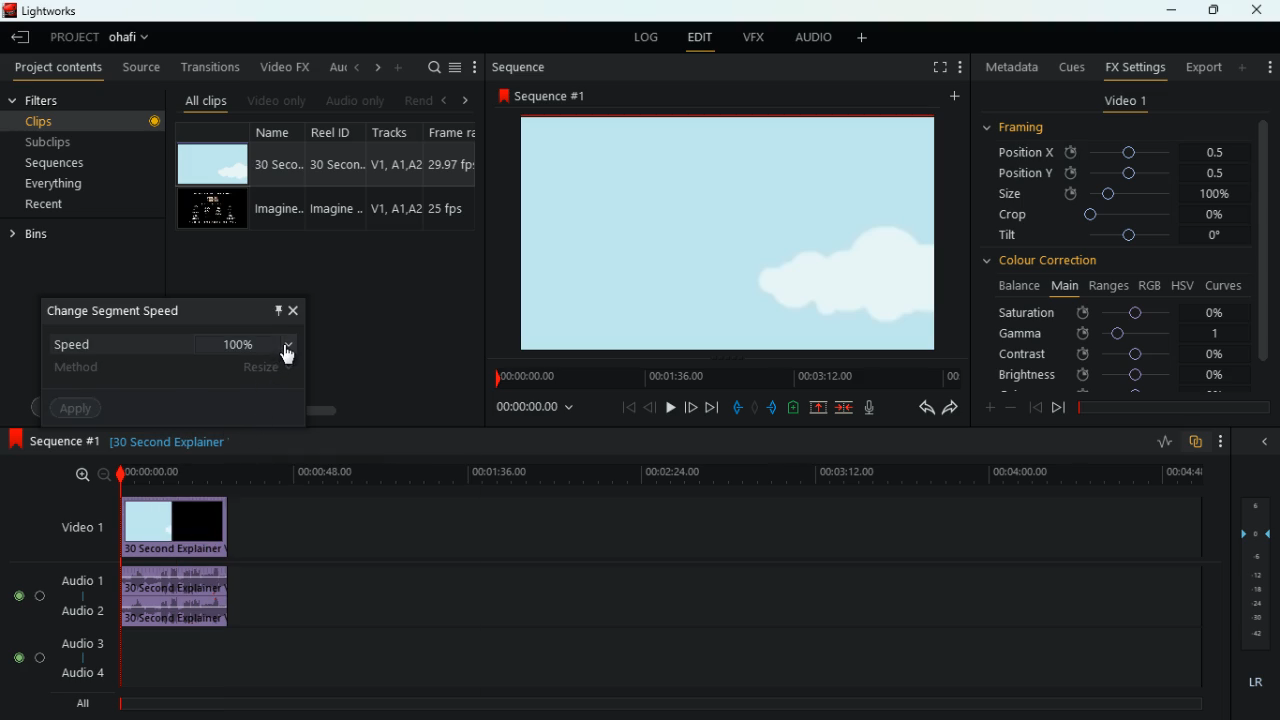 This screenshot has height=720, width=1280. What do you see at coordinates (651, 704) in the screenshot?
I see `timeline` at bounding box center [651, 704].